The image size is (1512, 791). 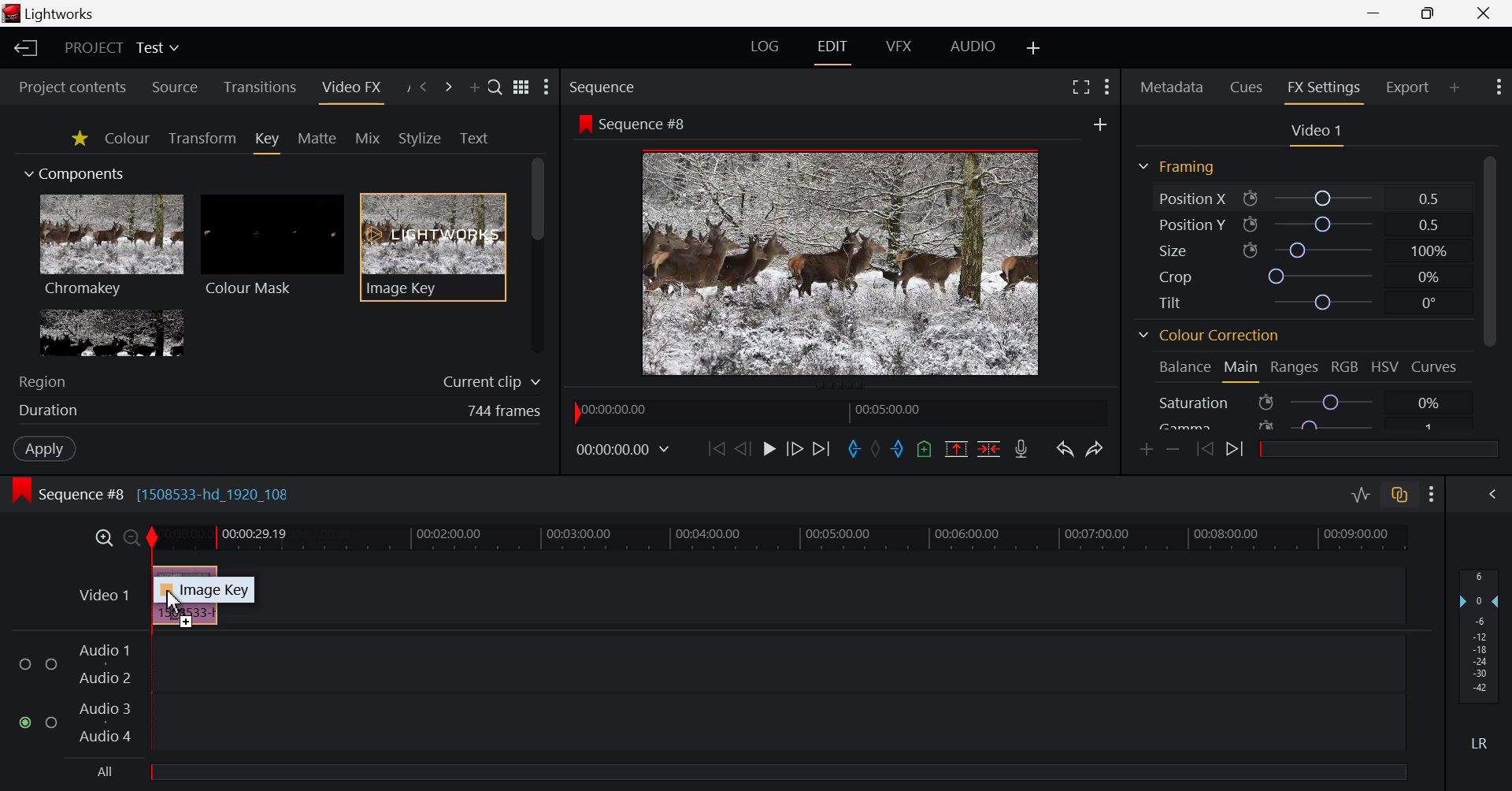 I want to click on Add Panel, so click(x=474, y=85).